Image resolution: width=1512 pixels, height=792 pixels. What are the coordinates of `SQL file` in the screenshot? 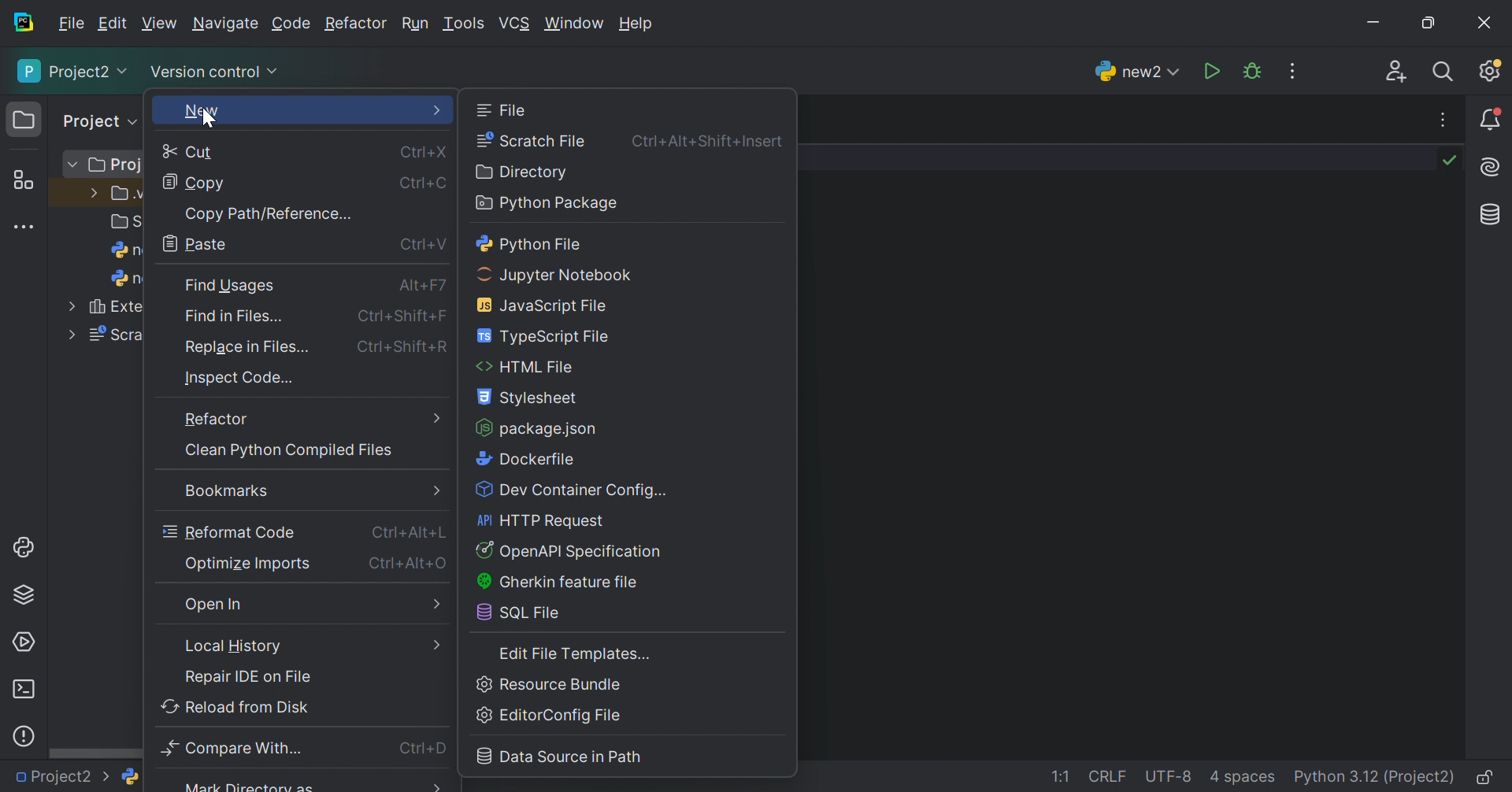 It's located at (518, 614).